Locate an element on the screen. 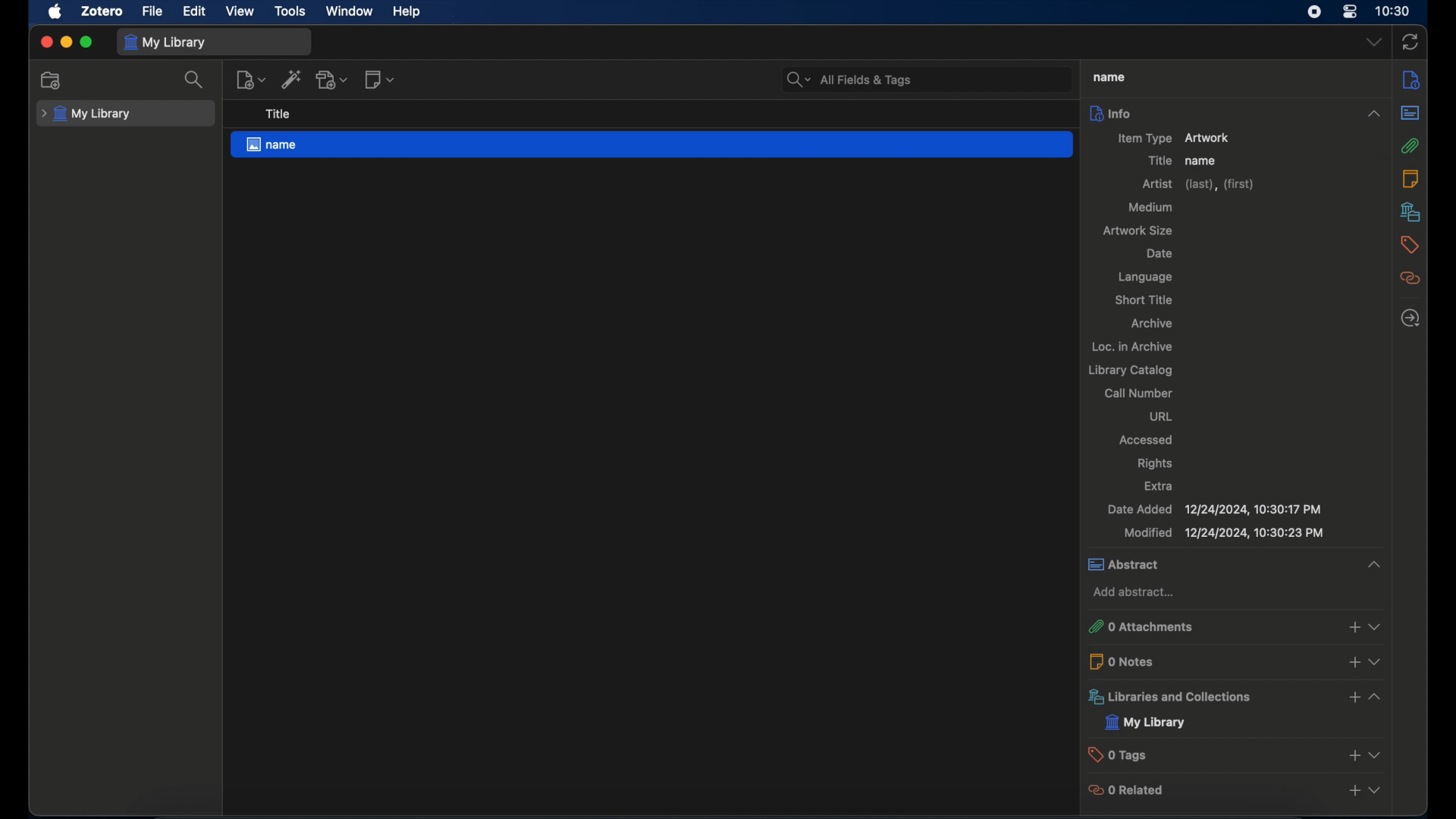 Image resolution: width=1456 pixels, height=819 pixels. close is located at coordinates (47, 42).